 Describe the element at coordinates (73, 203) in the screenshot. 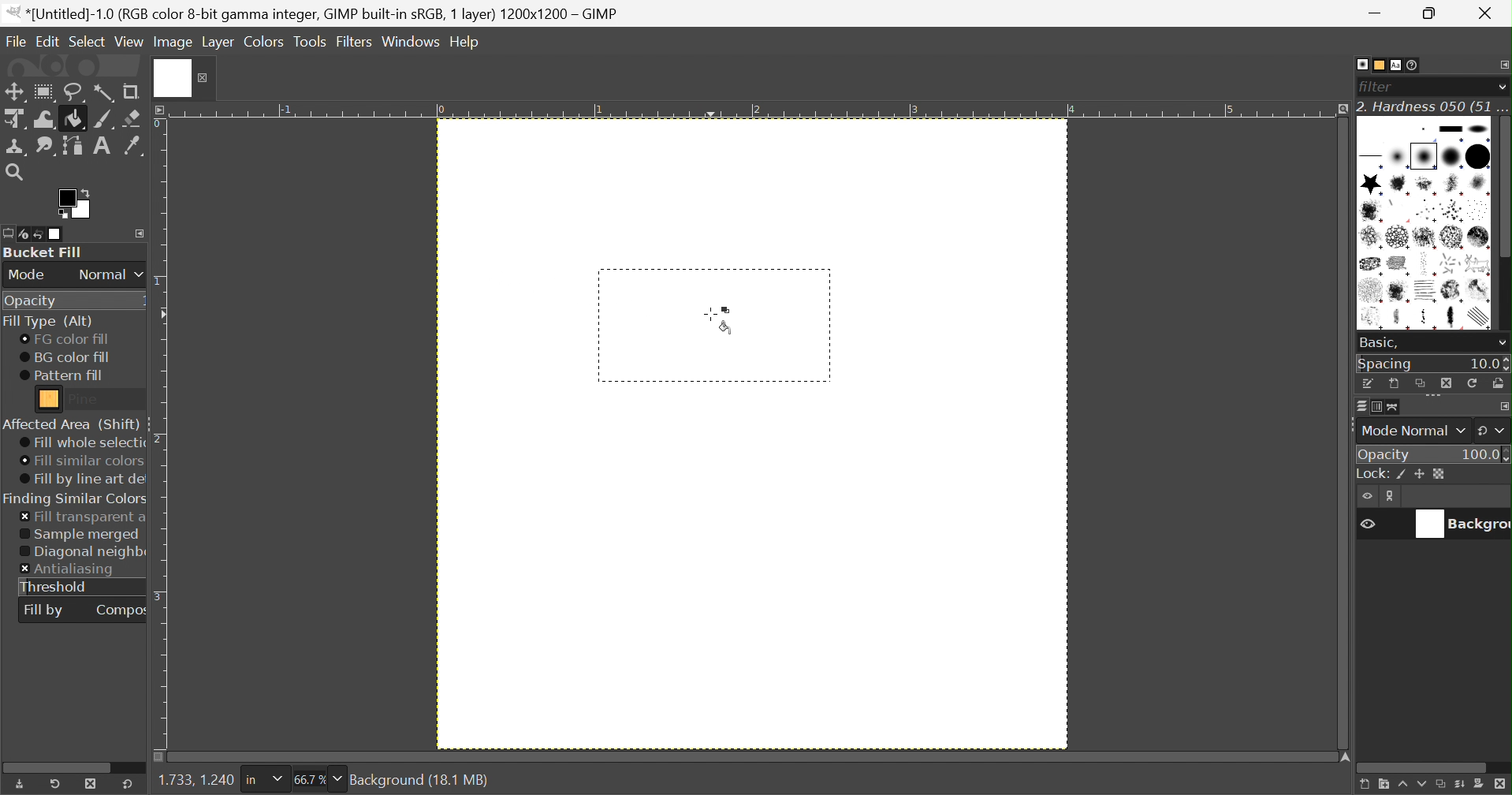

I see `The active foreground color. Click to open the color selection dialog.` at that location.